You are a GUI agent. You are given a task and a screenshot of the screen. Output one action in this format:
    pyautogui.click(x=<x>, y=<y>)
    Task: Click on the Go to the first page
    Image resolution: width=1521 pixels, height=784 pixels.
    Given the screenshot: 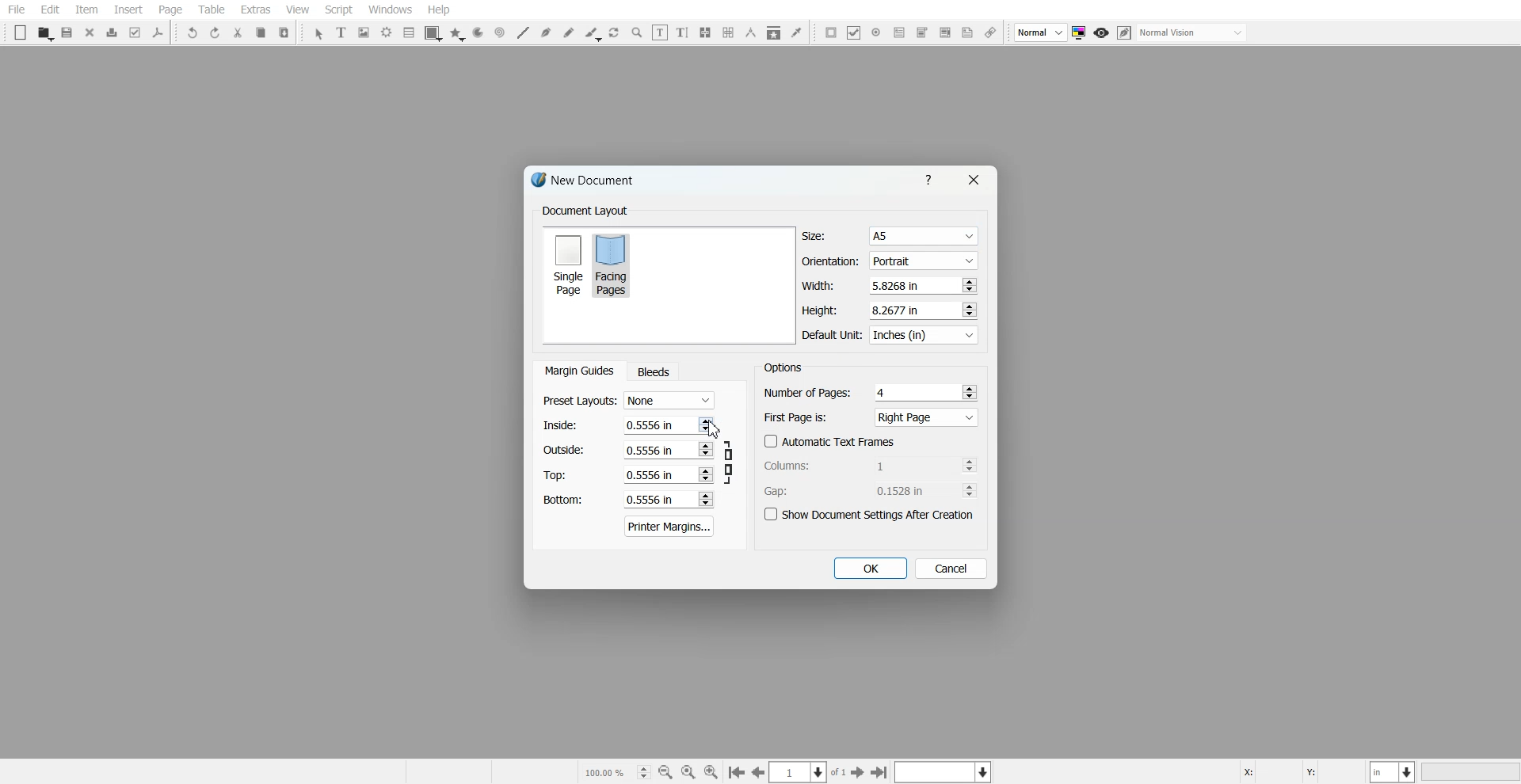 What is the action you would take?
    pyautogui.click(x=736, y=773)
    